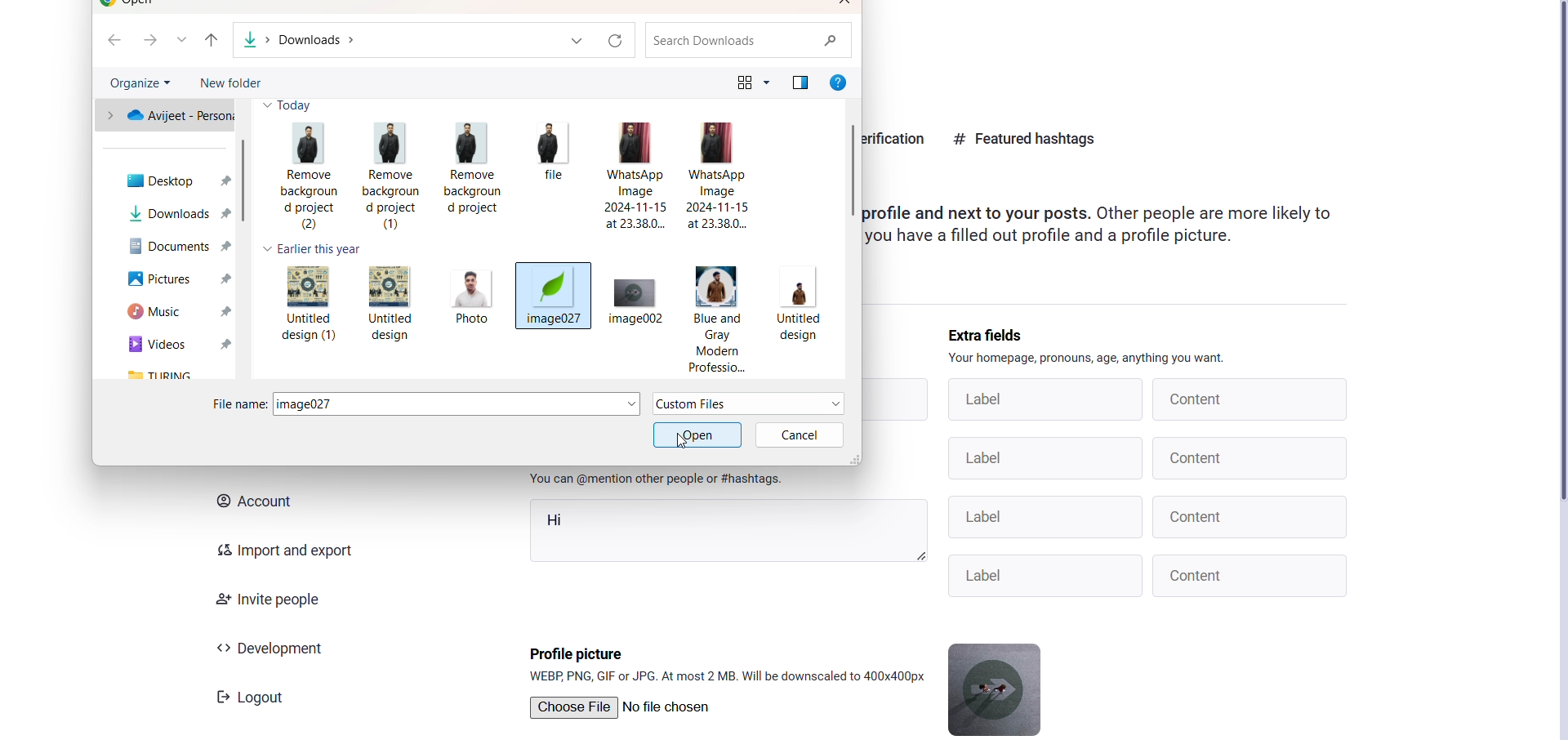 The width and height of the screenshot is (1568, 740). I want to click on back, so click(113, 40).